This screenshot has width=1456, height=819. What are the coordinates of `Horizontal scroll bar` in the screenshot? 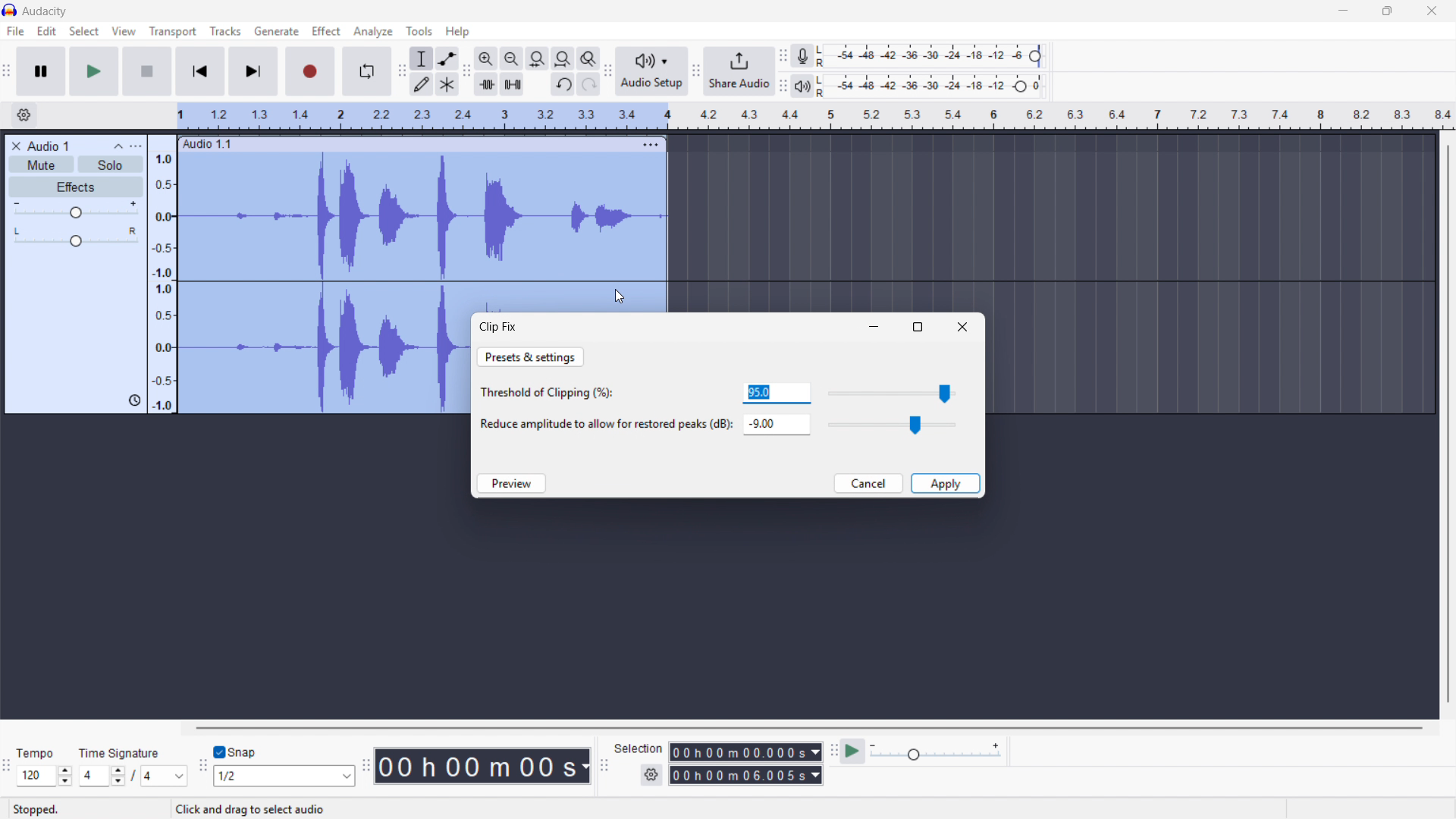 It's located at (807, 728).